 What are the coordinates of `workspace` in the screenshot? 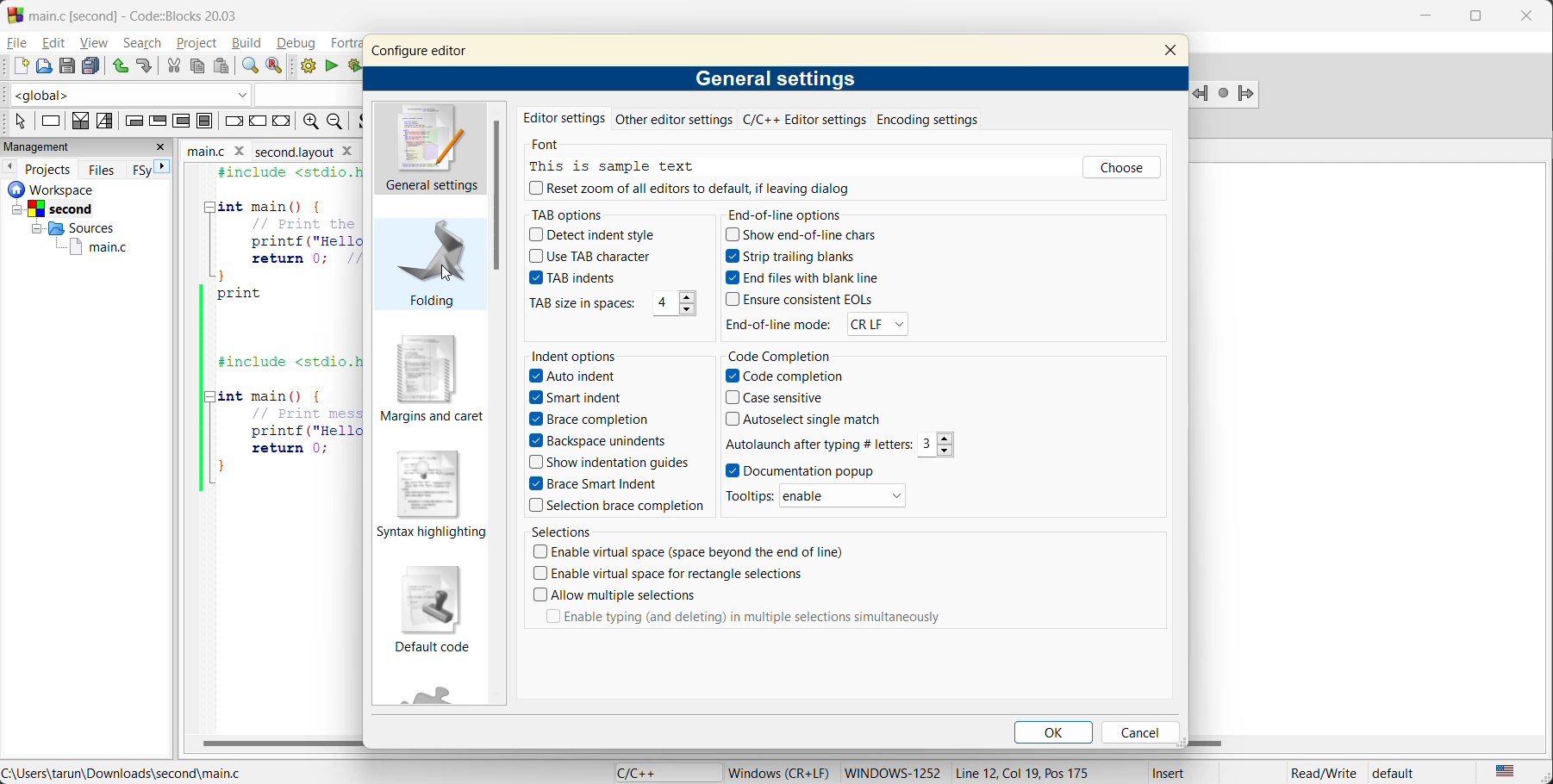 It's located at (47, 190).